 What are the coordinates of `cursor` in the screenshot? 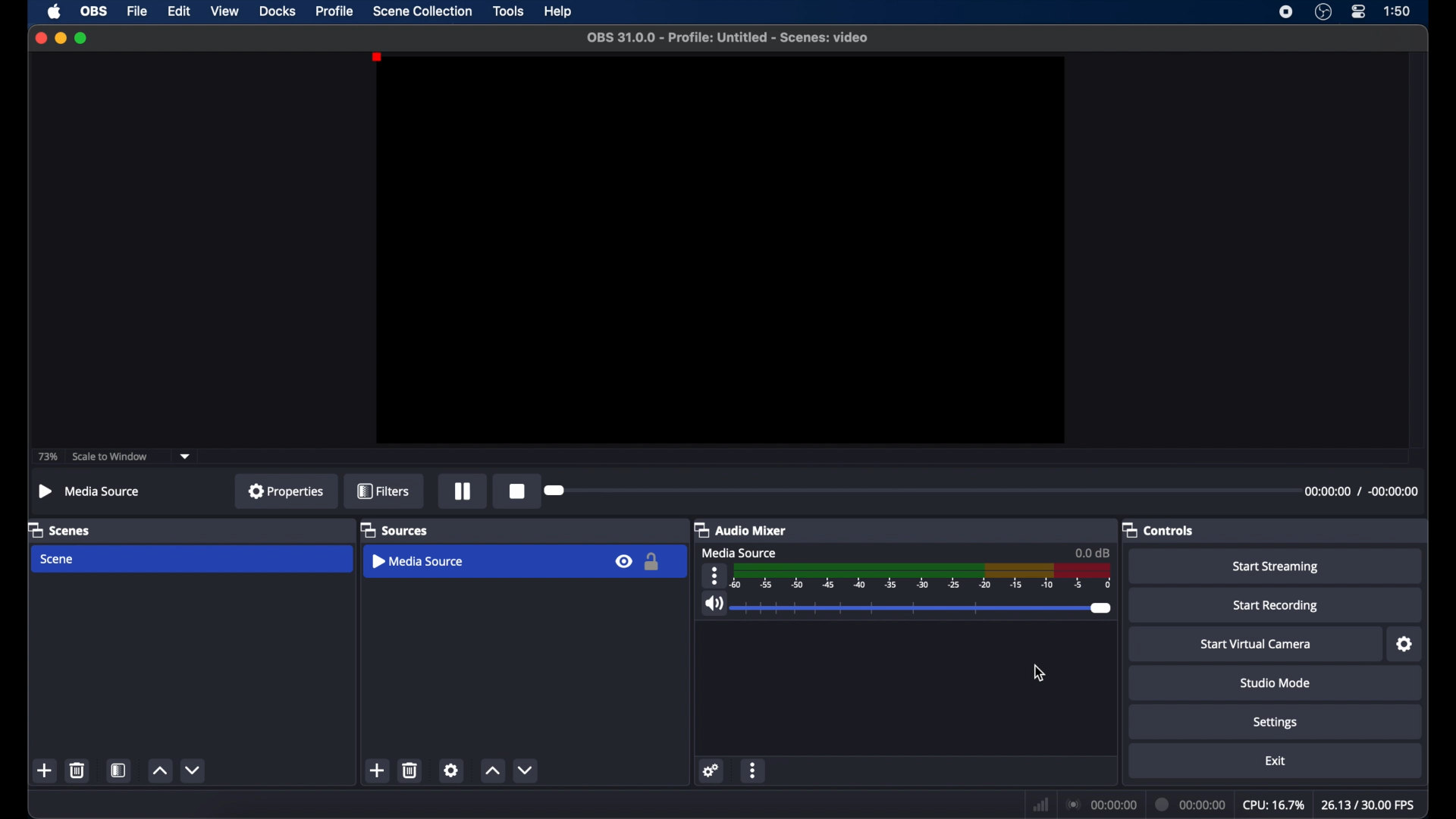 It's located at (1039, 673).